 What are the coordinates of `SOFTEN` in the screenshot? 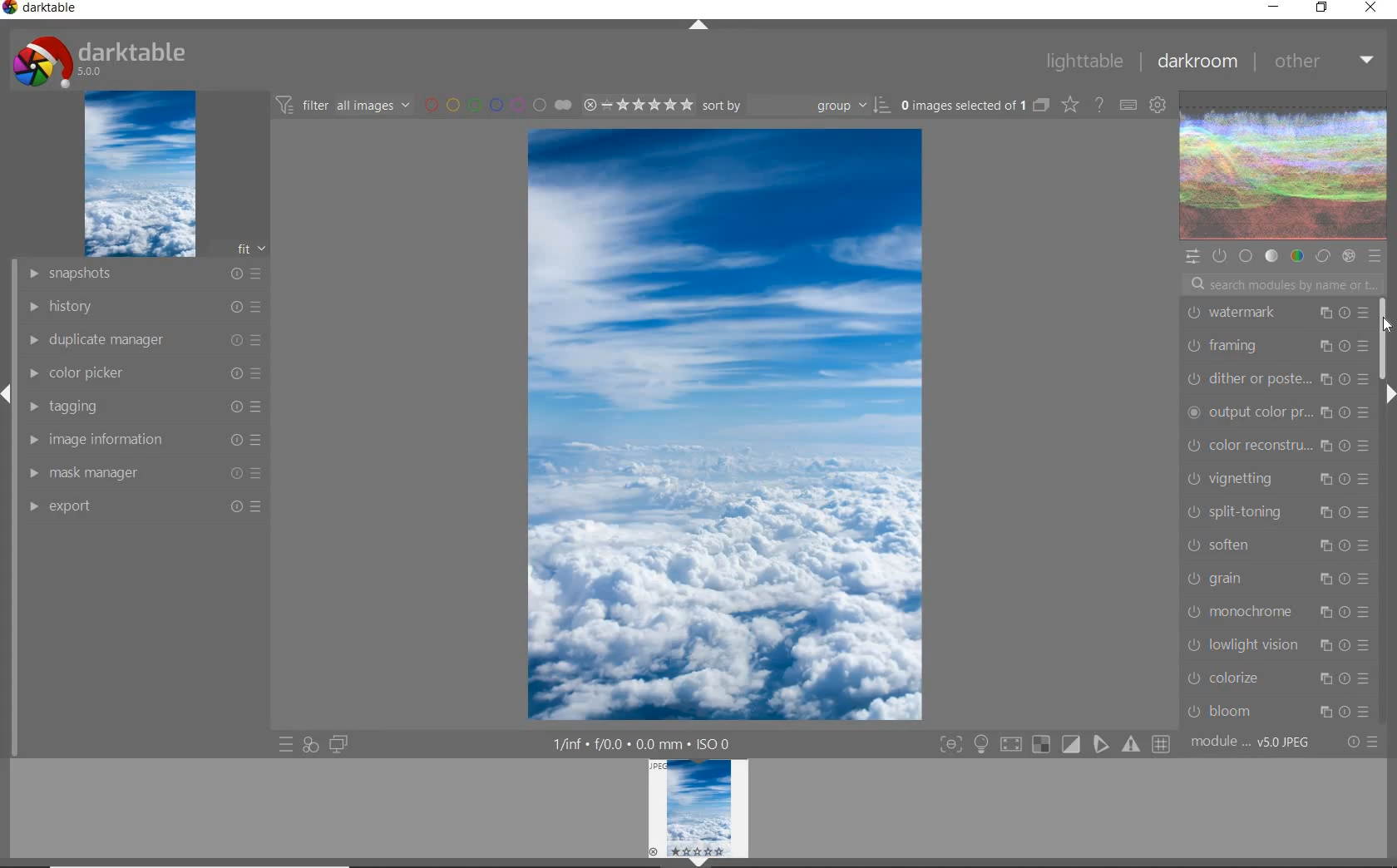 It's located at (1276, 545).